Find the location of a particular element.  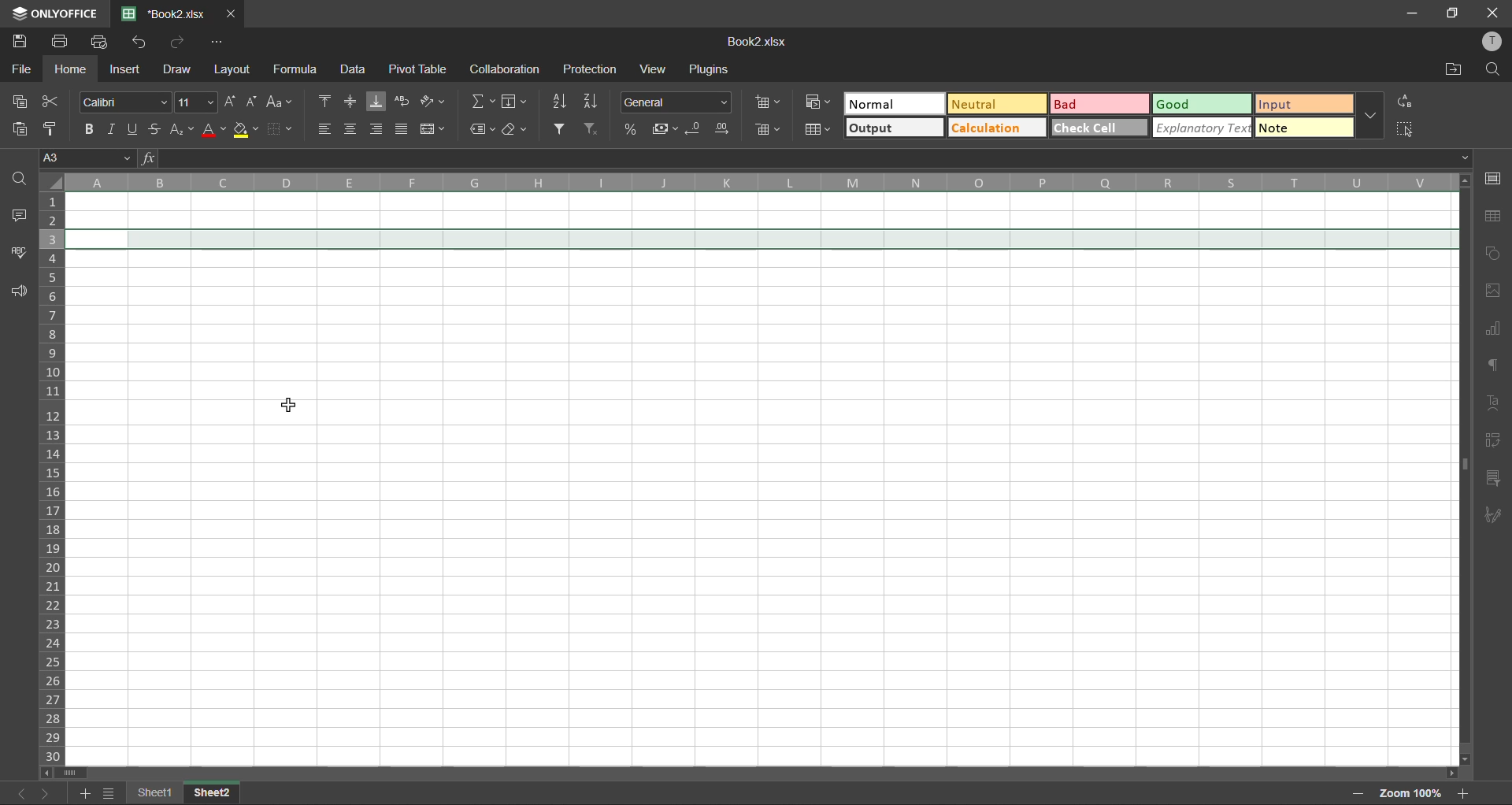

feedback is located at coordinates (19, 293).